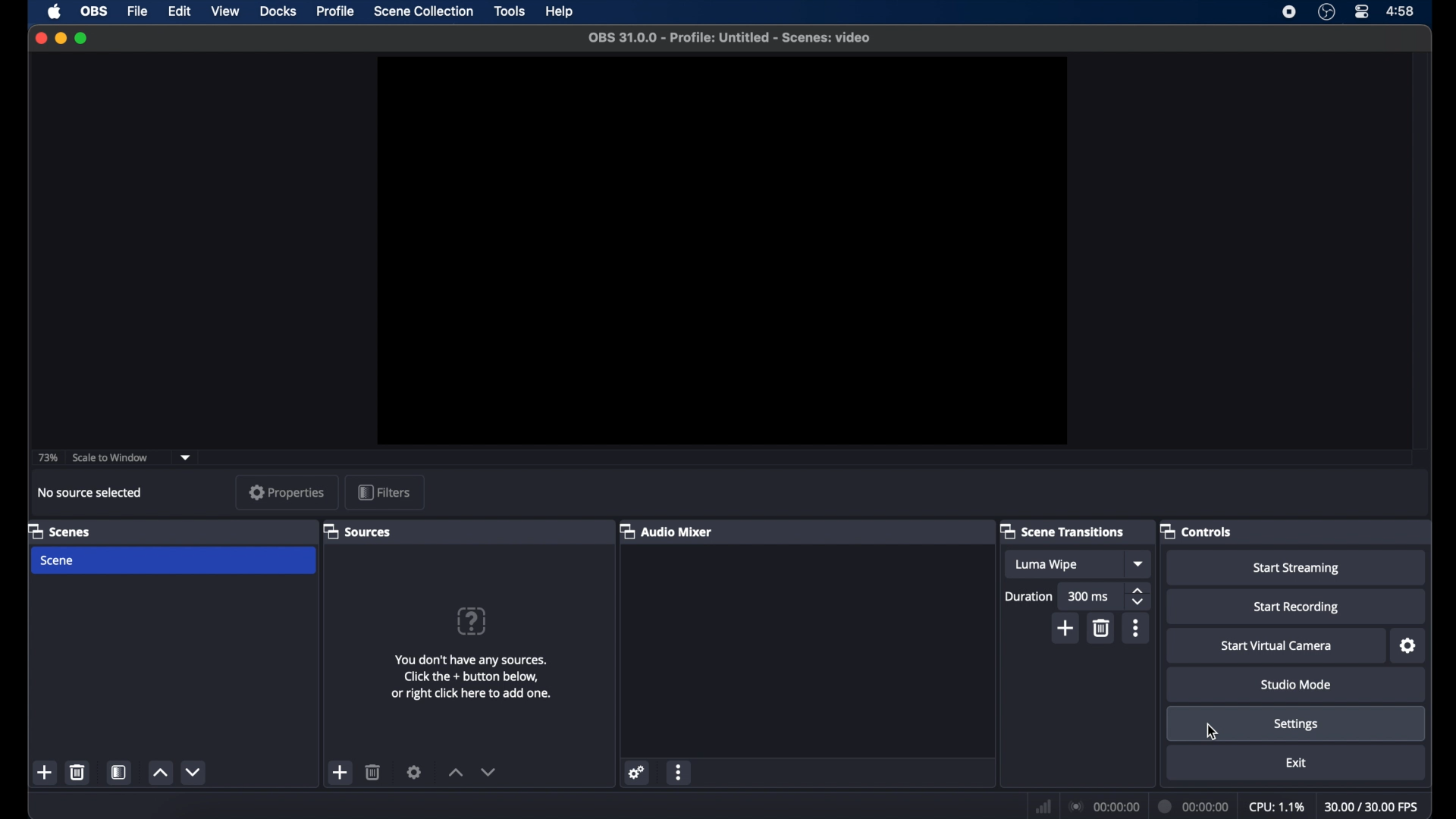 The image size is (1456, 819). I want to click on scene filters, so click(120, 772).